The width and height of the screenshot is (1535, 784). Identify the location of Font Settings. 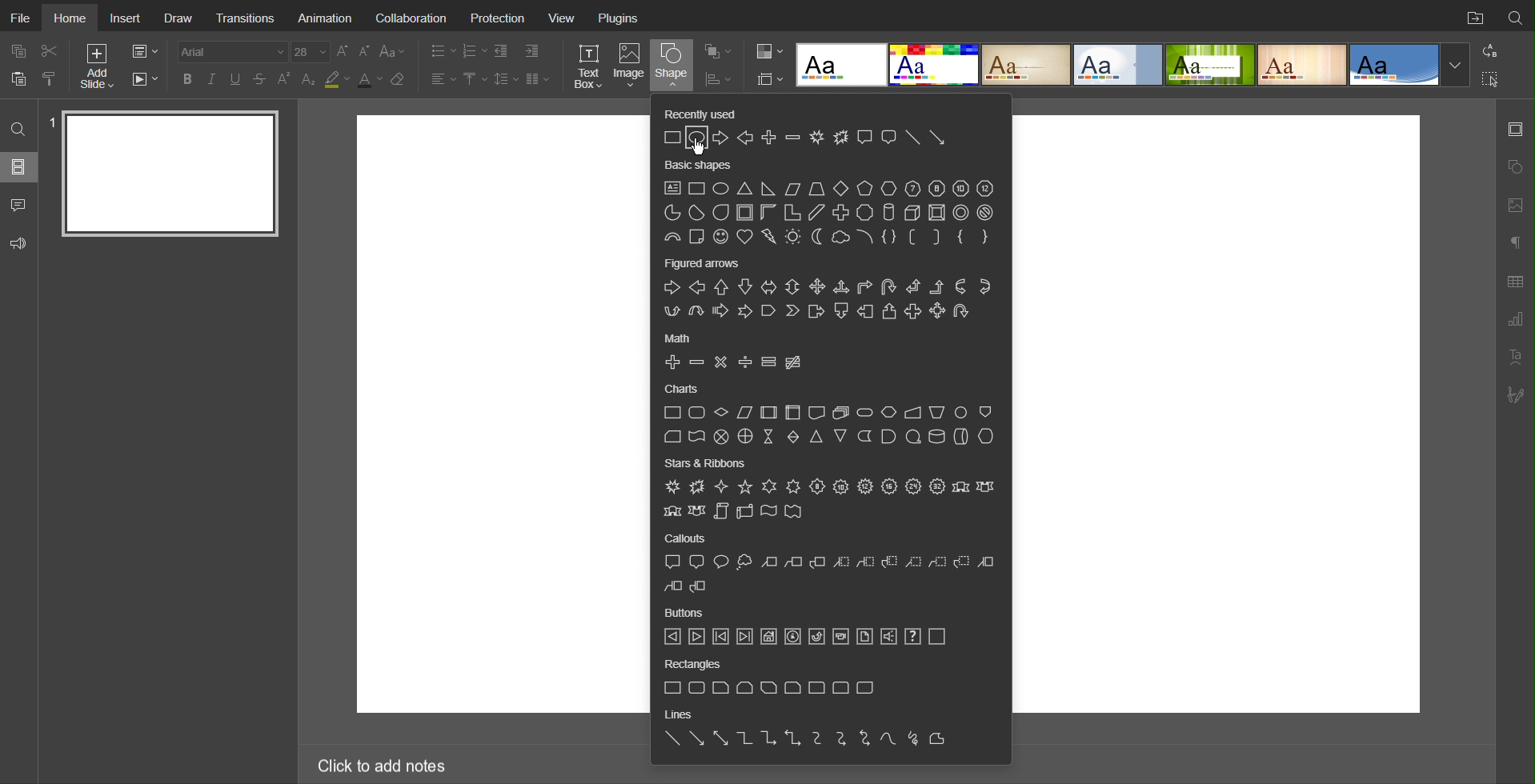
(251, 51).